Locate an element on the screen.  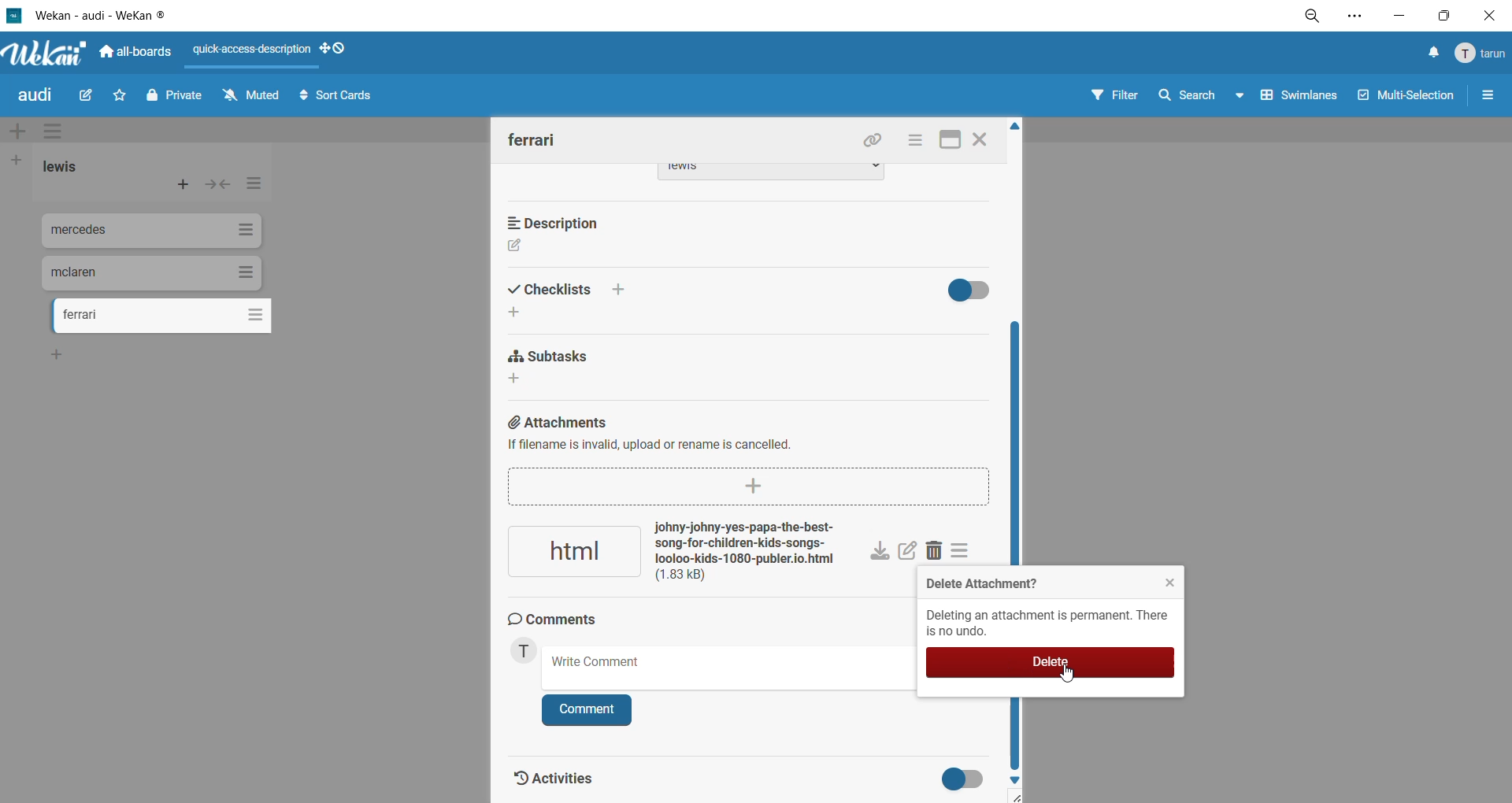
cards is located at coordinates (163, 318).